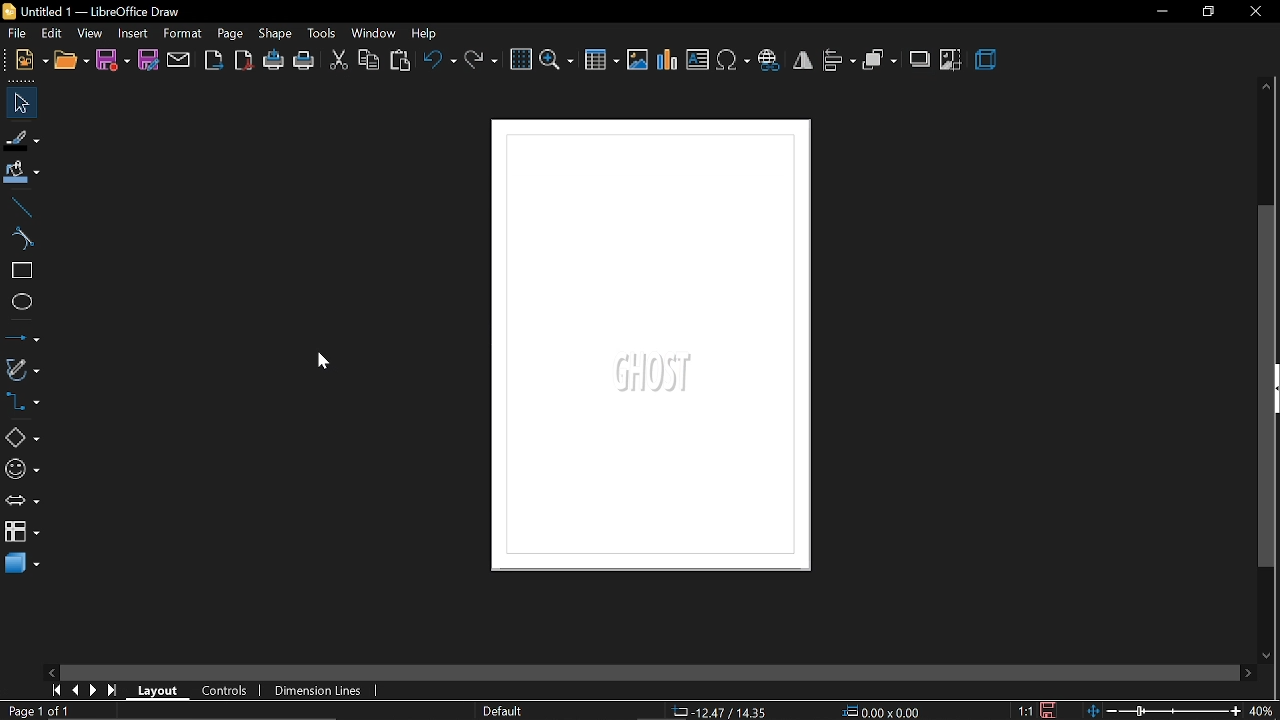  Describe the element at coordinates (22, 471) in the screenshot. I see `symbol shapes` at that location.